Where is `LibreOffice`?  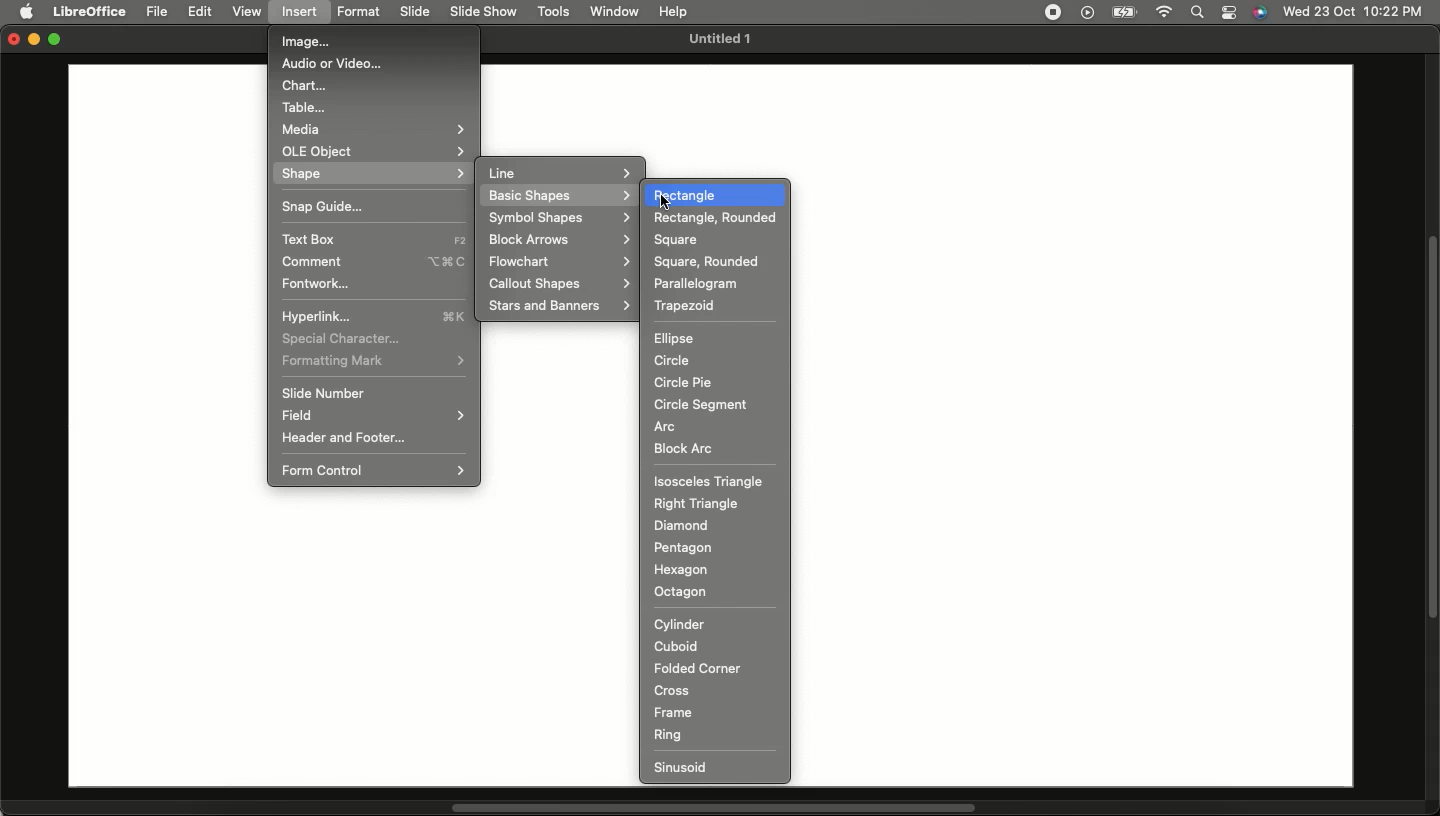
LibreOffice is located at coordinates (90, 9).